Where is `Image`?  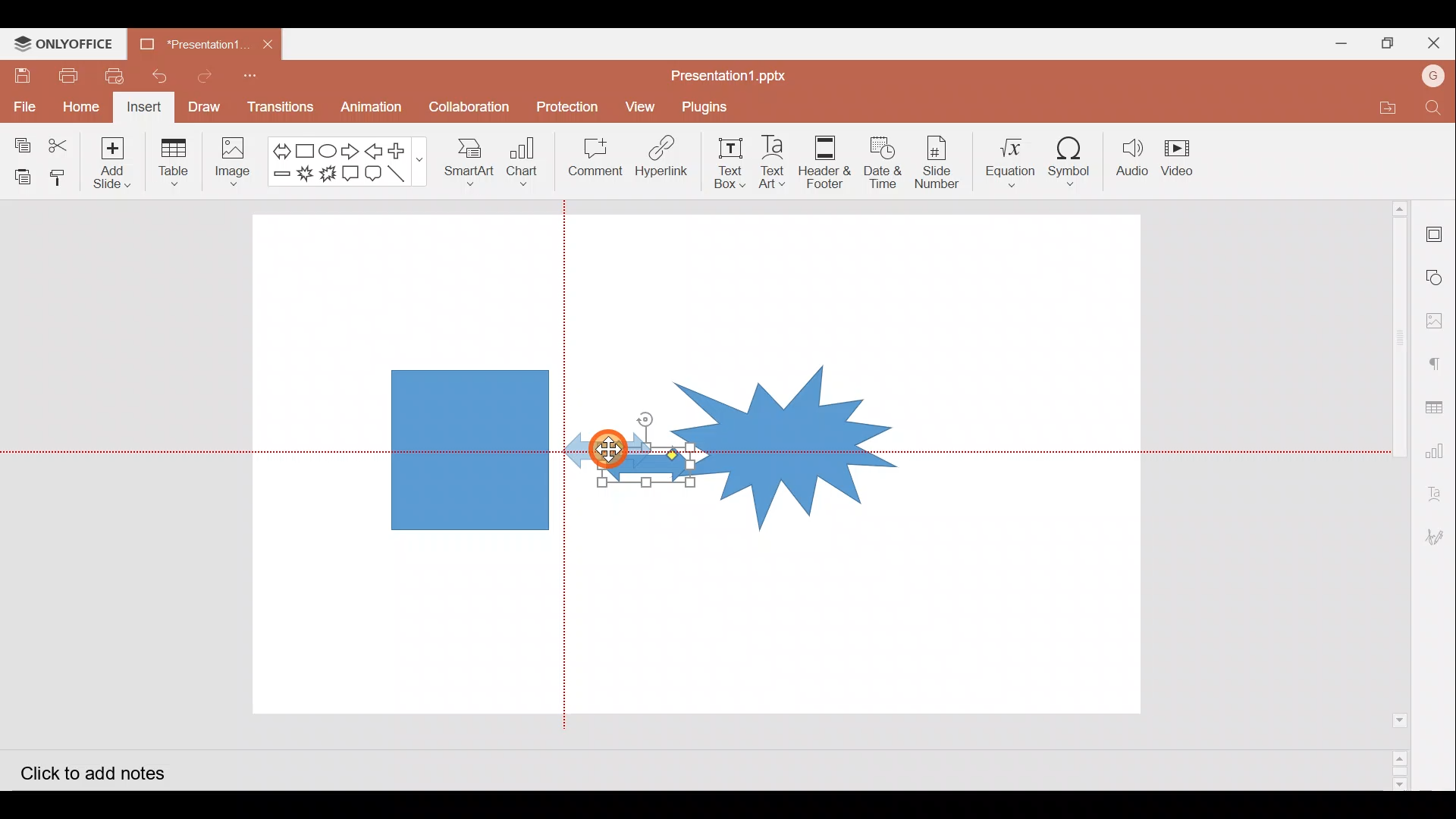
Image is located at coordinates (233, 160).